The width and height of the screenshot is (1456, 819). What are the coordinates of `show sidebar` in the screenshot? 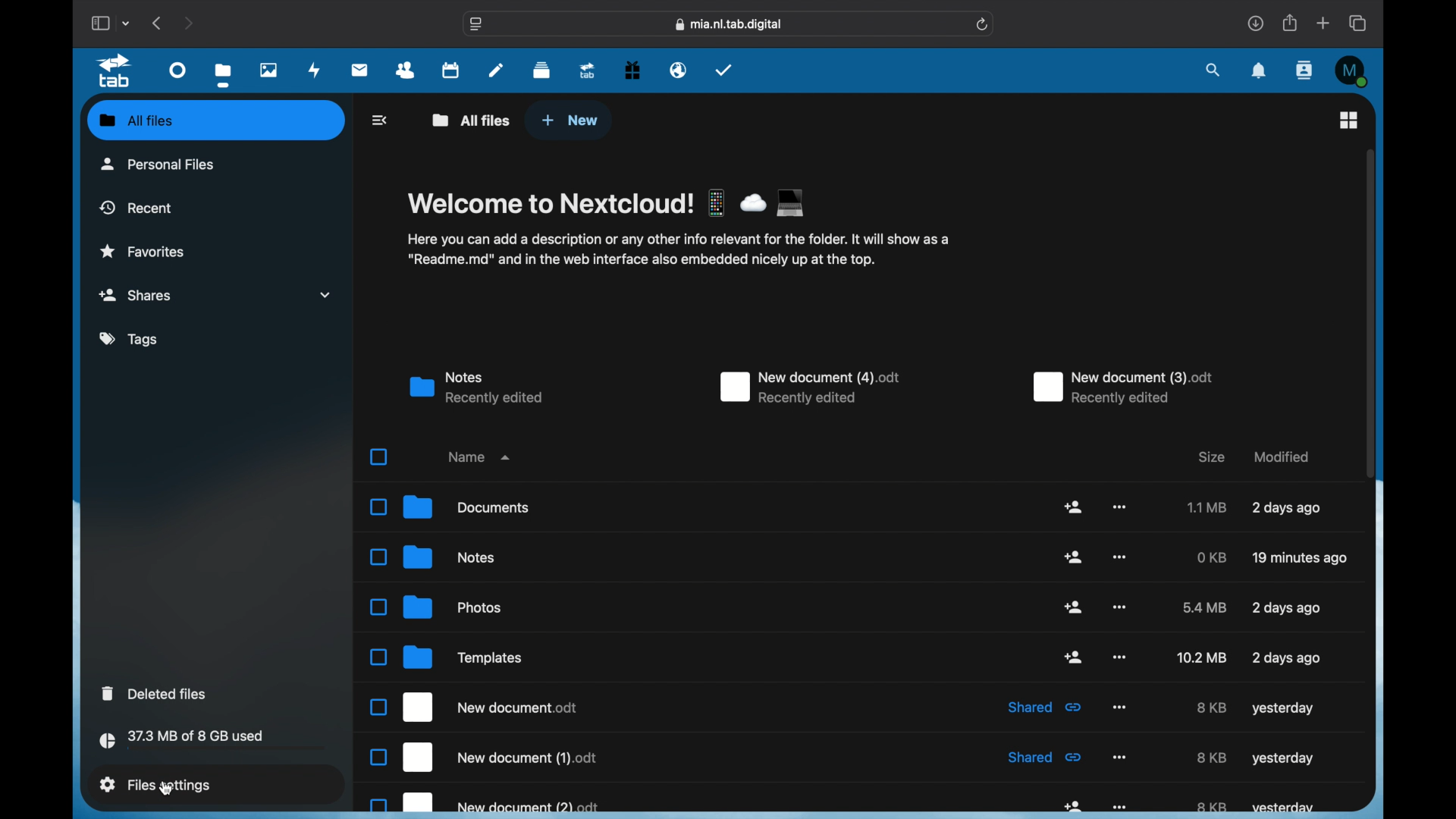 It's located at (99, 23).